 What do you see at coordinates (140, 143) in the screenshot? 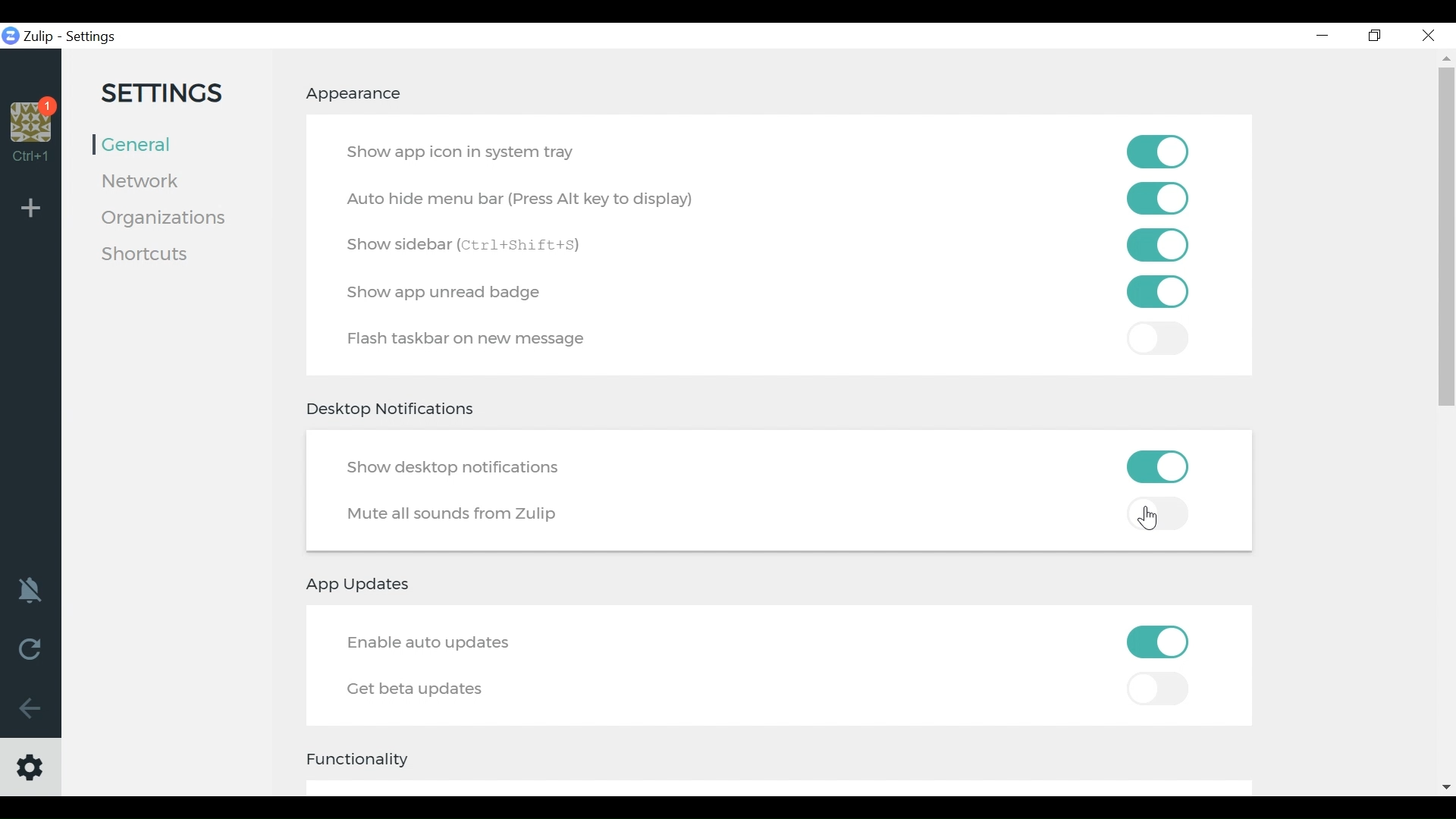
I see `General` at bounding box center [140, 143].